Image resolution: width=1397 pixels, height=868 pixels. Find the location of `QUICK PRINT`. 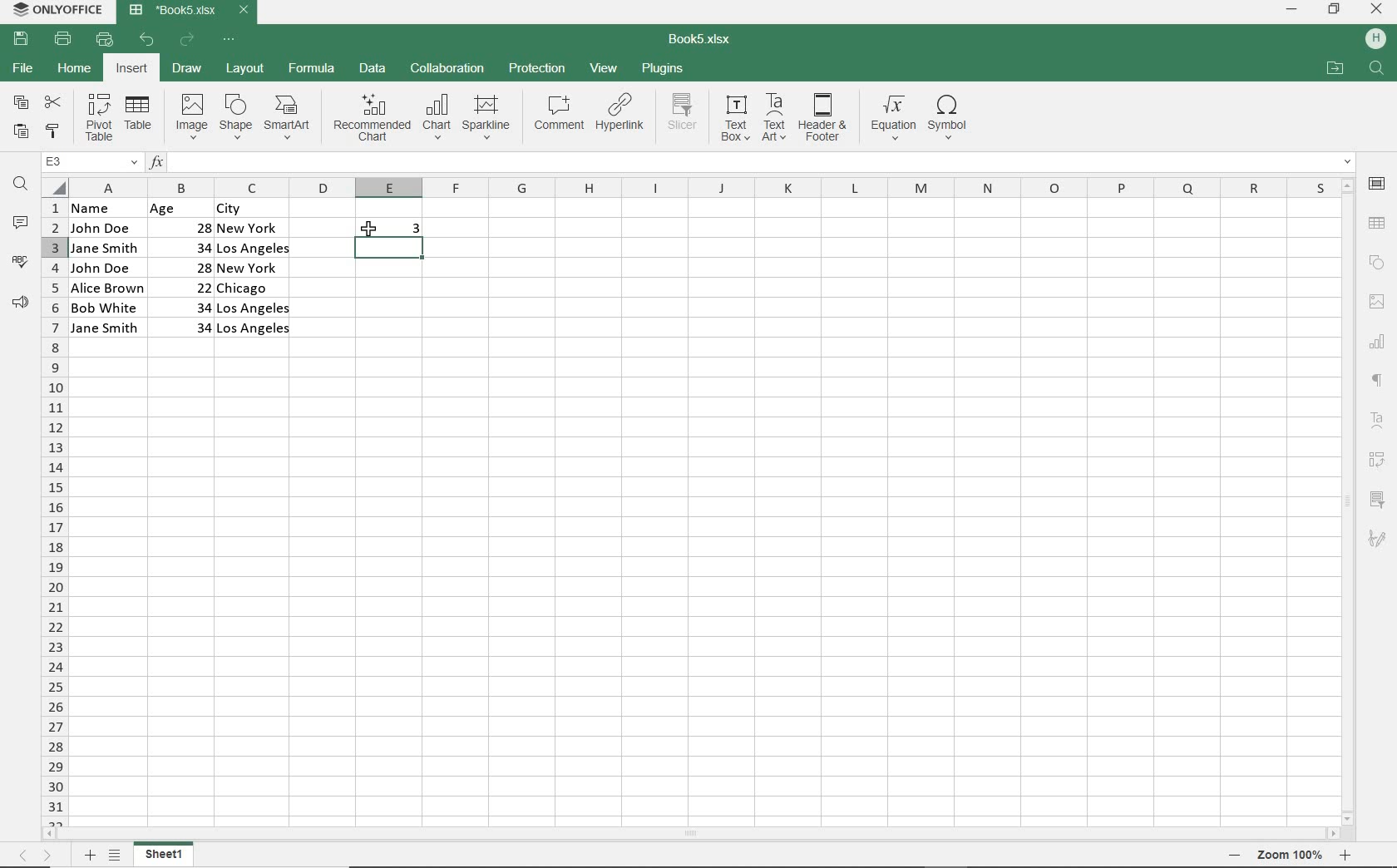

QUICK PRINT is located at coordinates (103, 39).